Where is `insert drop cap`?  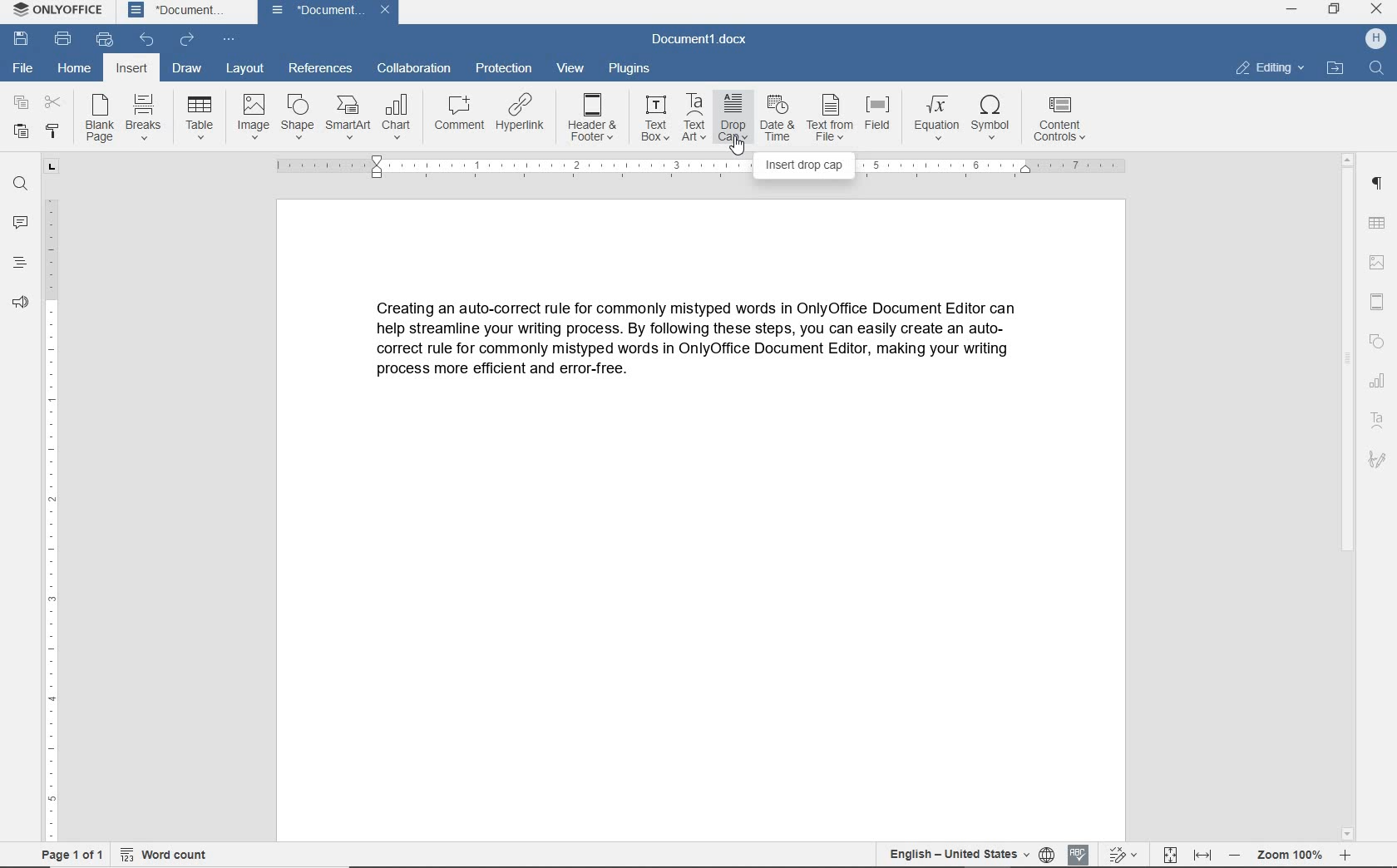 insert drop cap is located at coordinates (804, 165).